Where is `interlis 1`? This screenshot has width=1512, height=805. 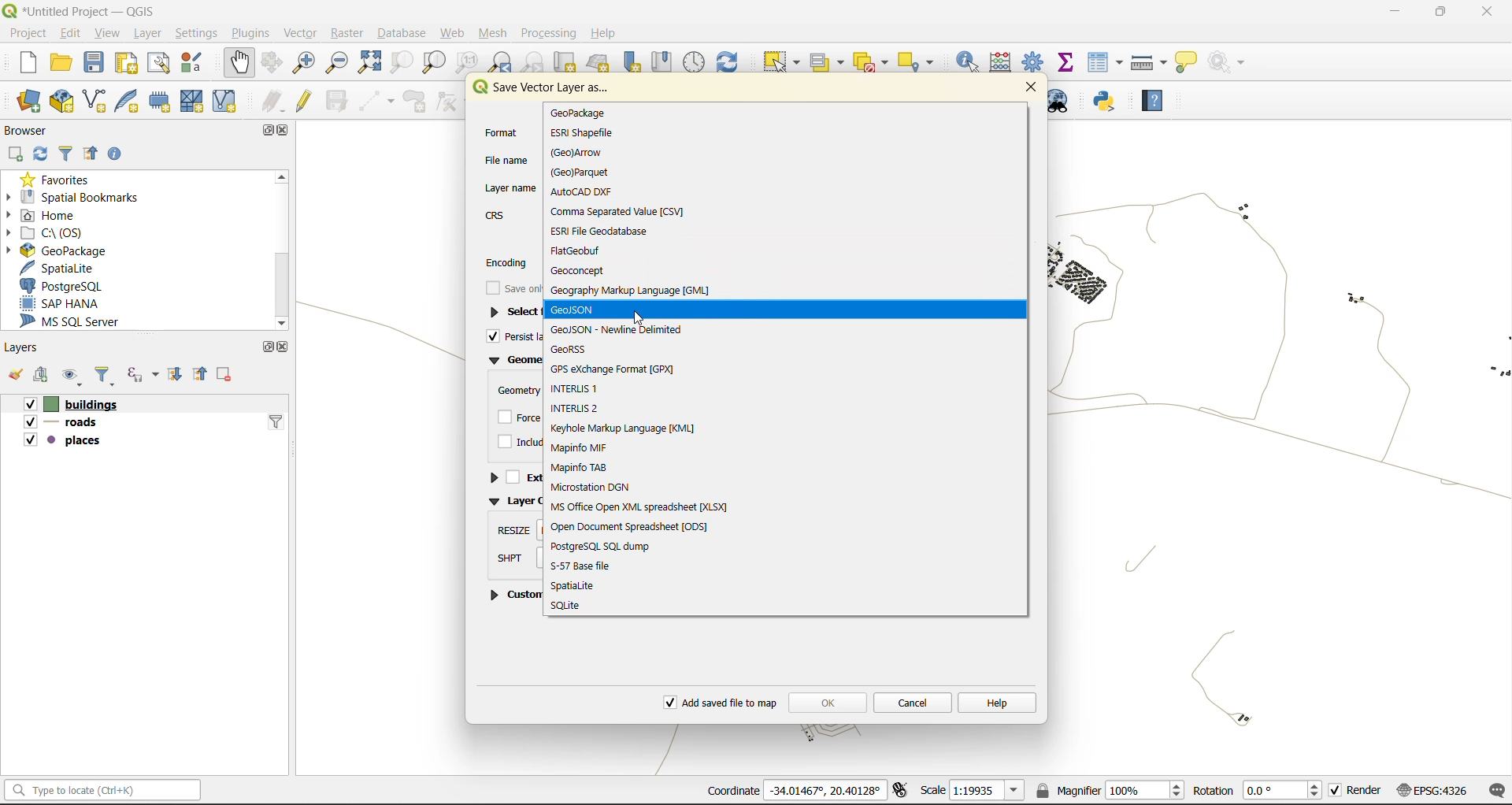 interlis 1 is located at coordinates (580, 387).